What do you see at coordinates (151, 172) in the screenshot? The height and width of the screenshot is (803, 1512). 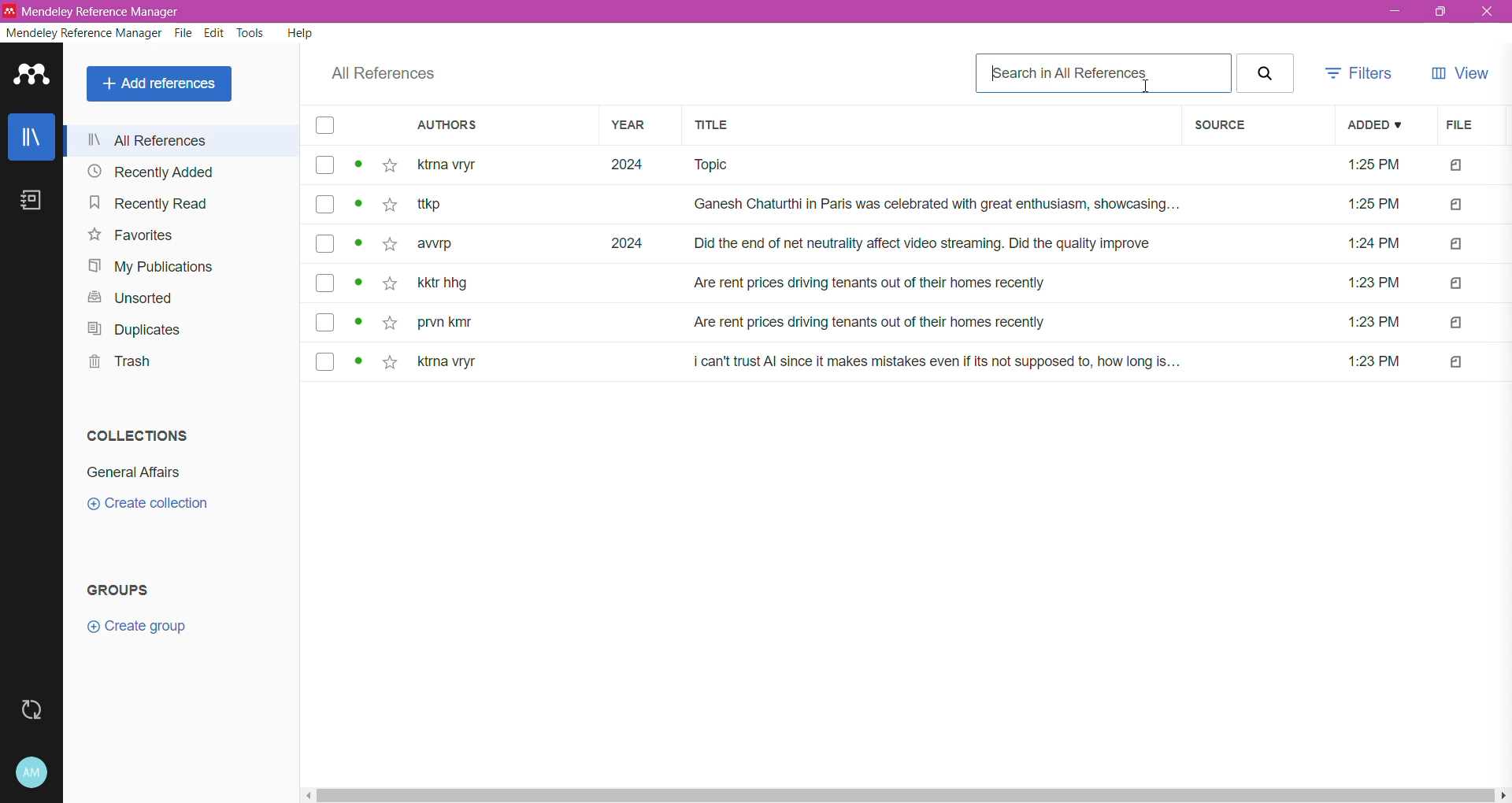 I see `Recently Added` at bounding box center [151, 172].